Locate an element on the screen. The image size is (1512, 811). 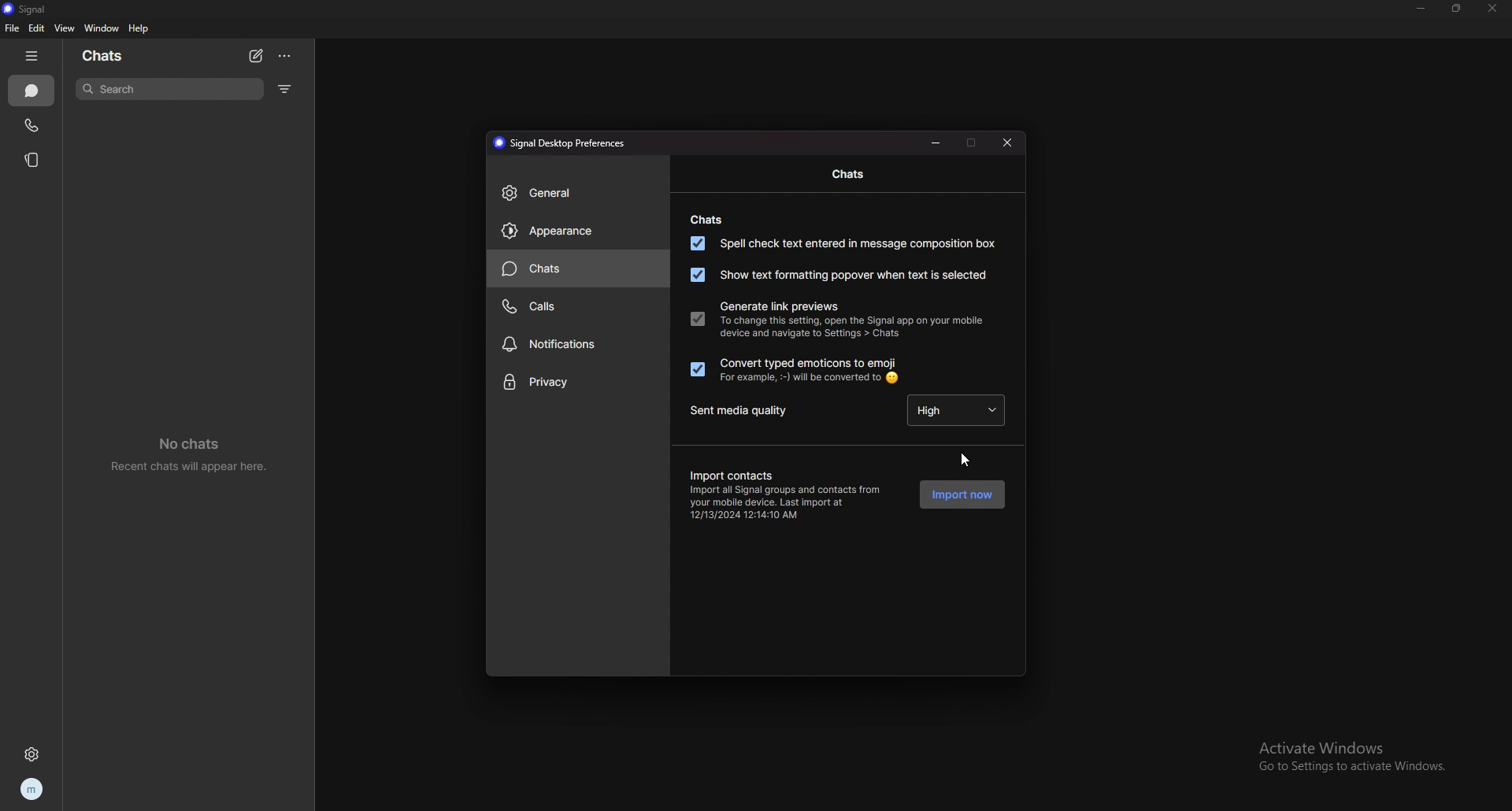
options is located at coordinates (286, 56).